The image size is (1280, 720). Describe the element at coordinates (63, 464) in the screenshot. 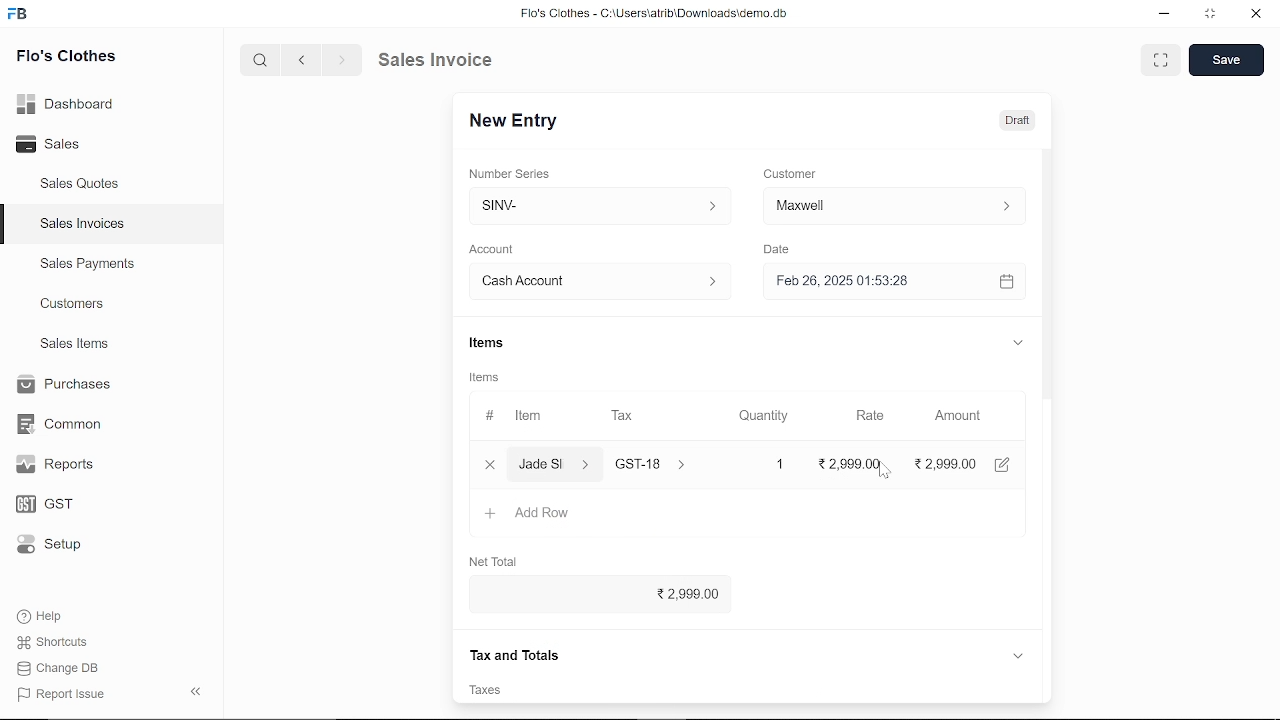

I see `Reports.` at that location.